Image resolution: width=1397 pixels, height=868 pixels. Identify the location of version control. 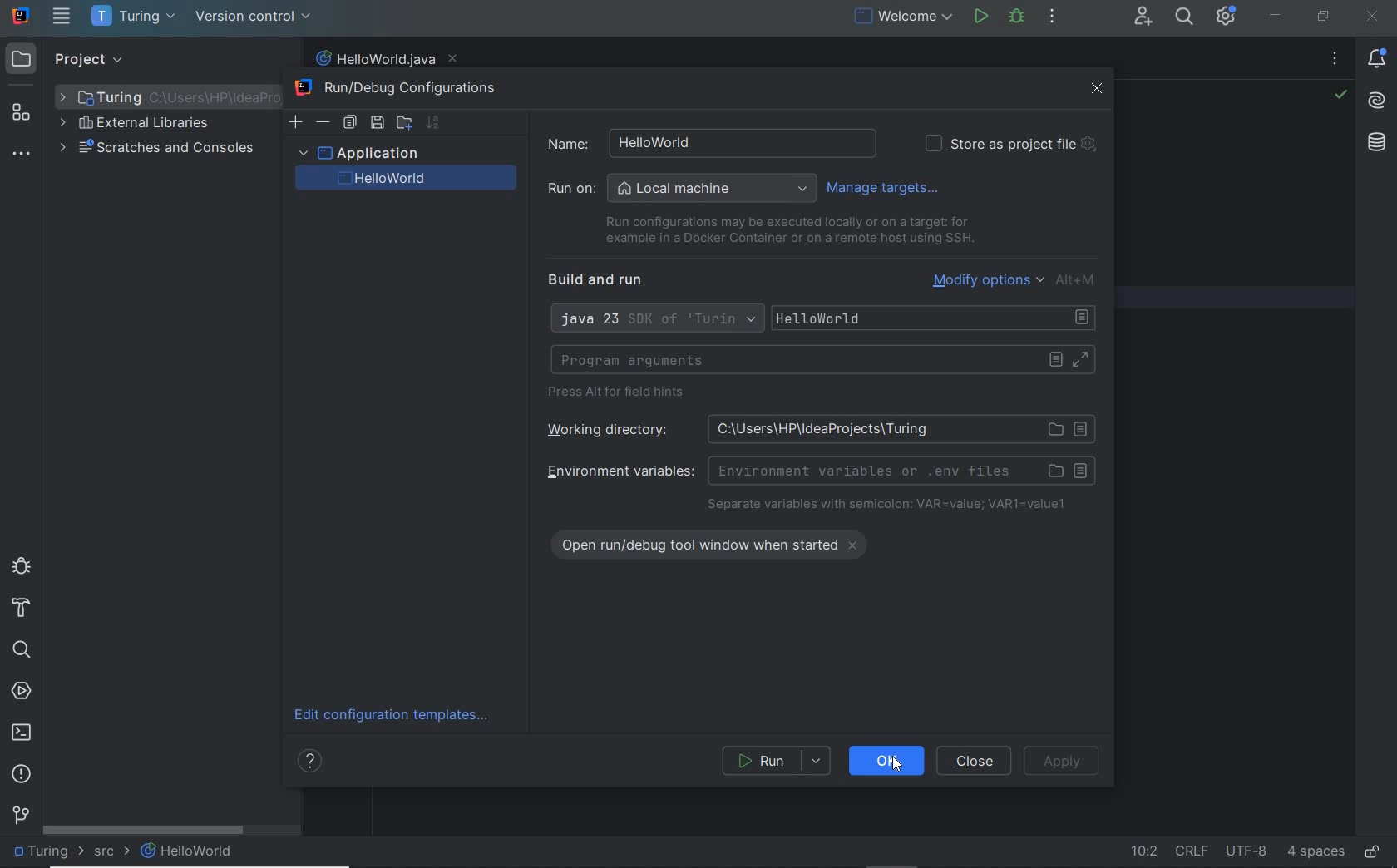
(21, 814).